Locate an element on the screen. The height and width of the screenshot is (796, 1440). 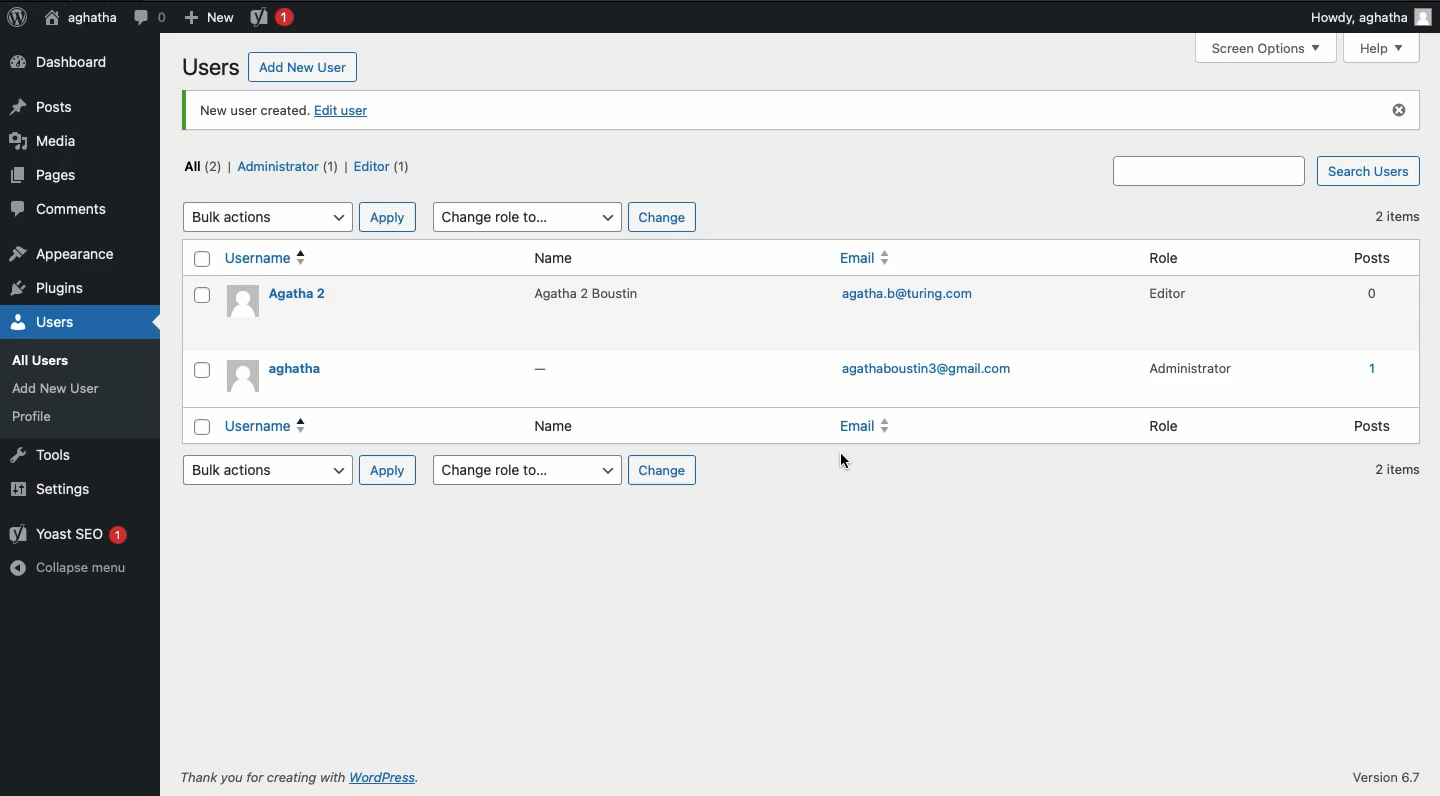
Media is located at coordinates (50, 141).